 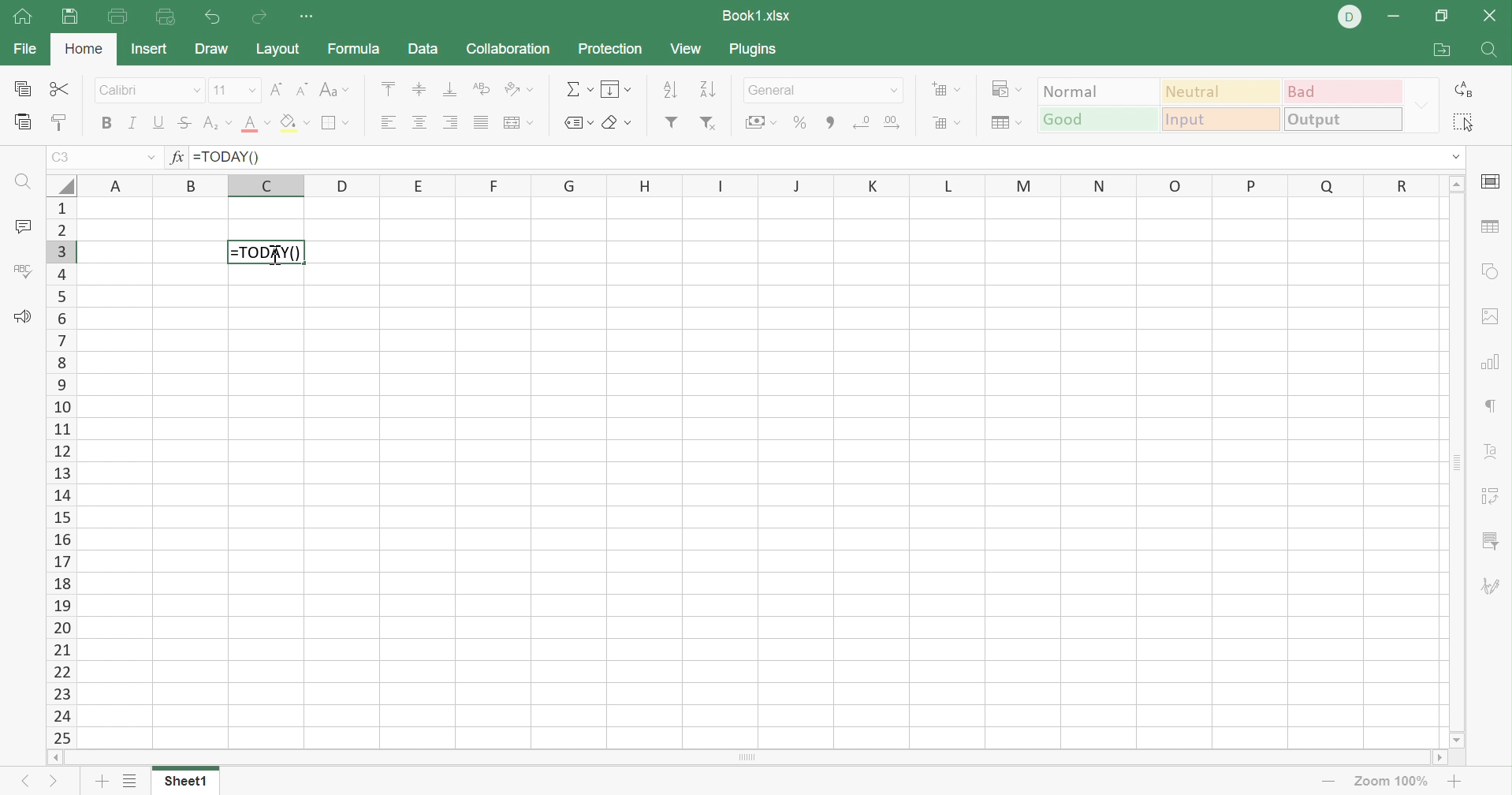 I want to click on Strikethrough, so click(x=184, y=124).